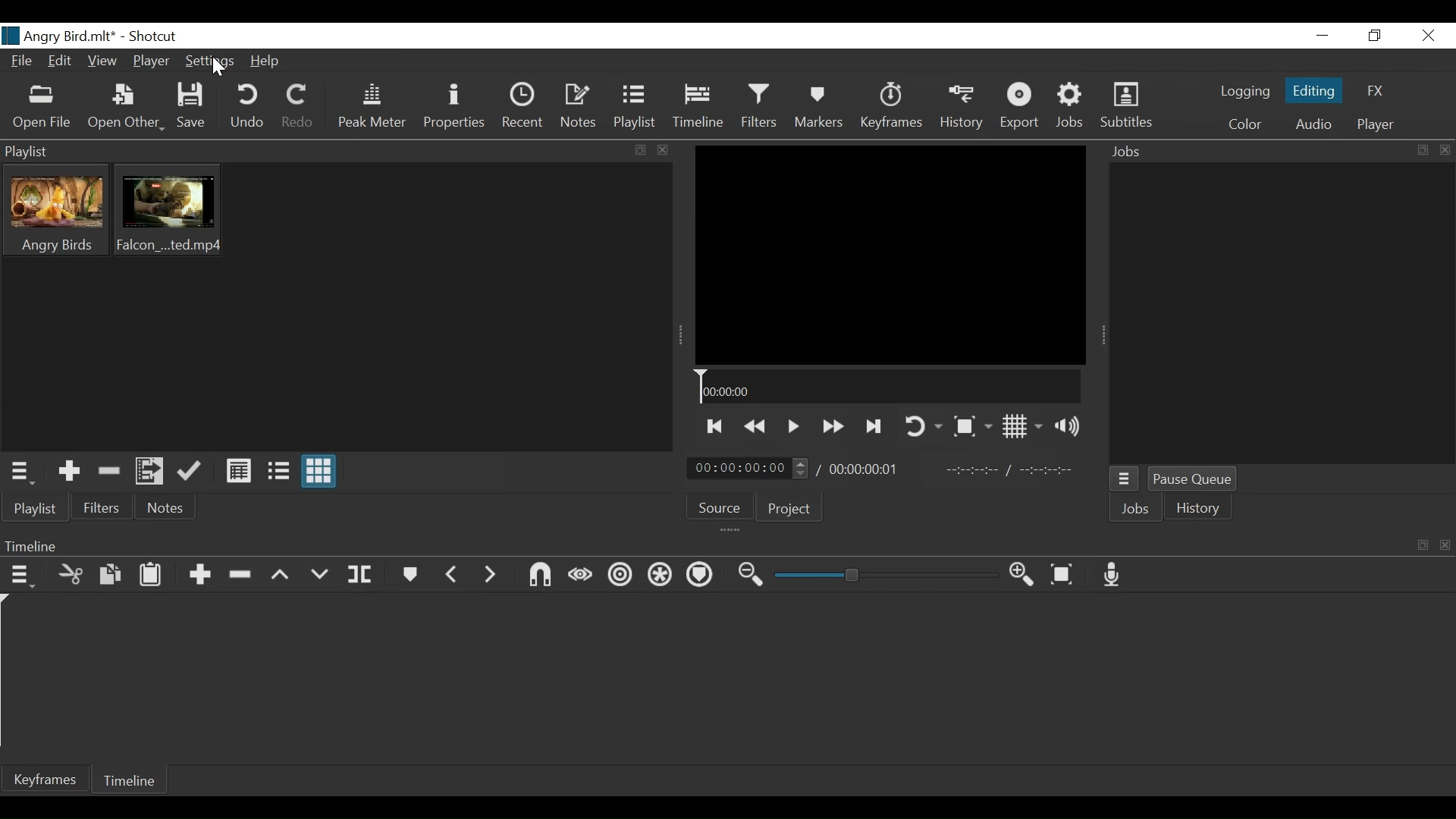  I want to click on Properties, so click(457, 107).